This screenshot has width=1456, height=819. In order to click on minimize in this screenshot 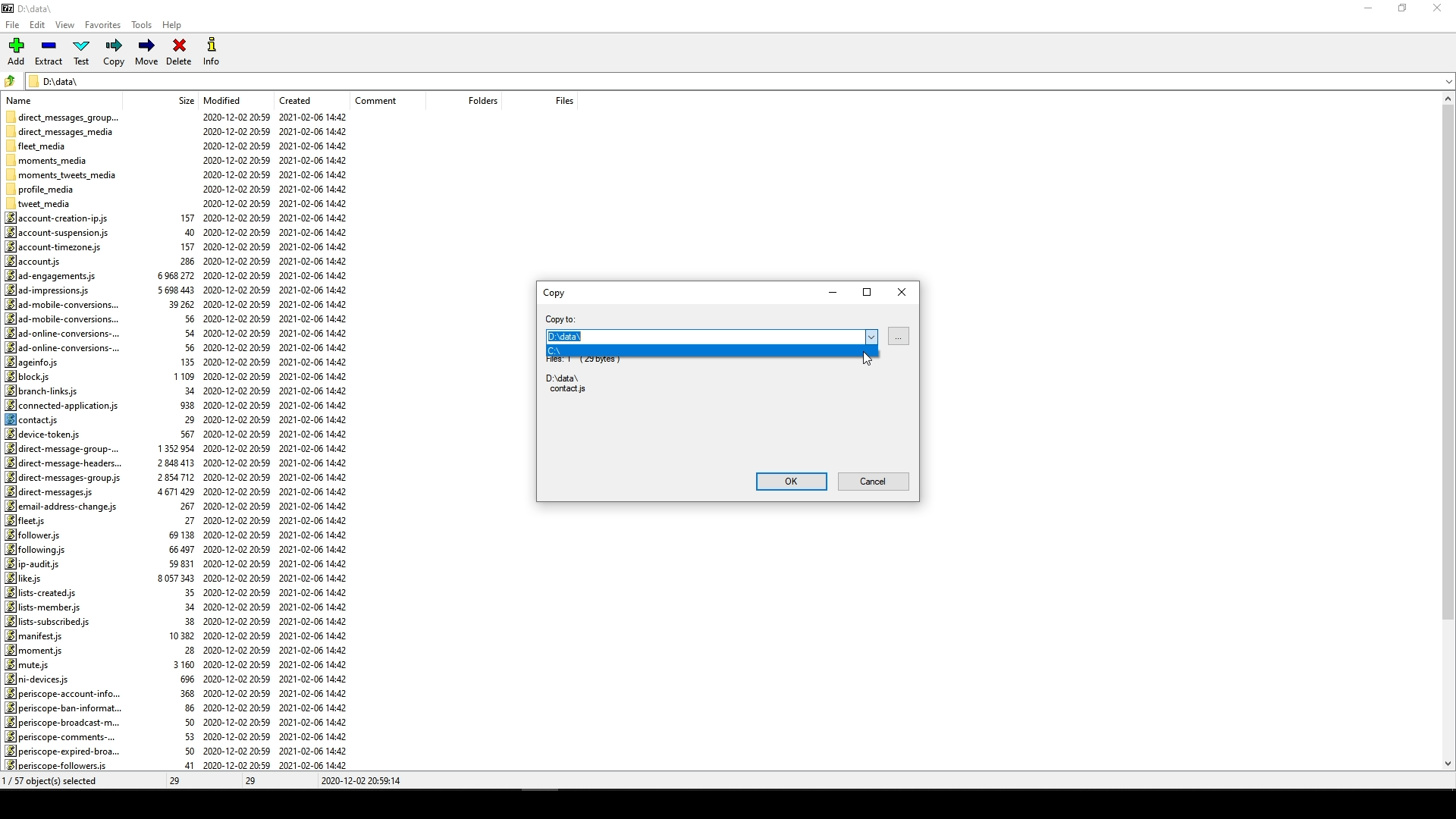, I will do `click(1368, 13)`.